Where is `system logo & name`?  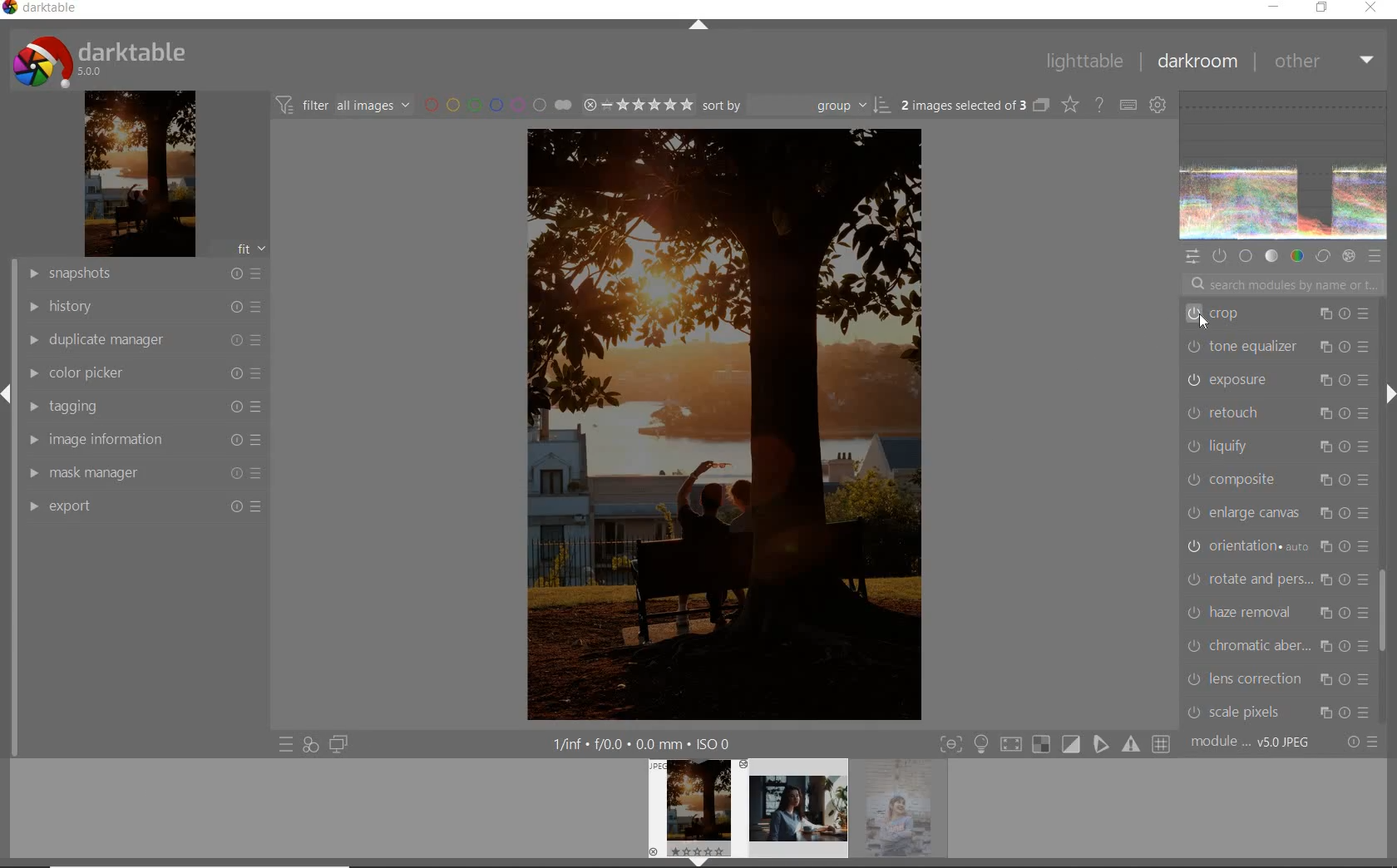 system logo & name is located at coordinates (103, 62).